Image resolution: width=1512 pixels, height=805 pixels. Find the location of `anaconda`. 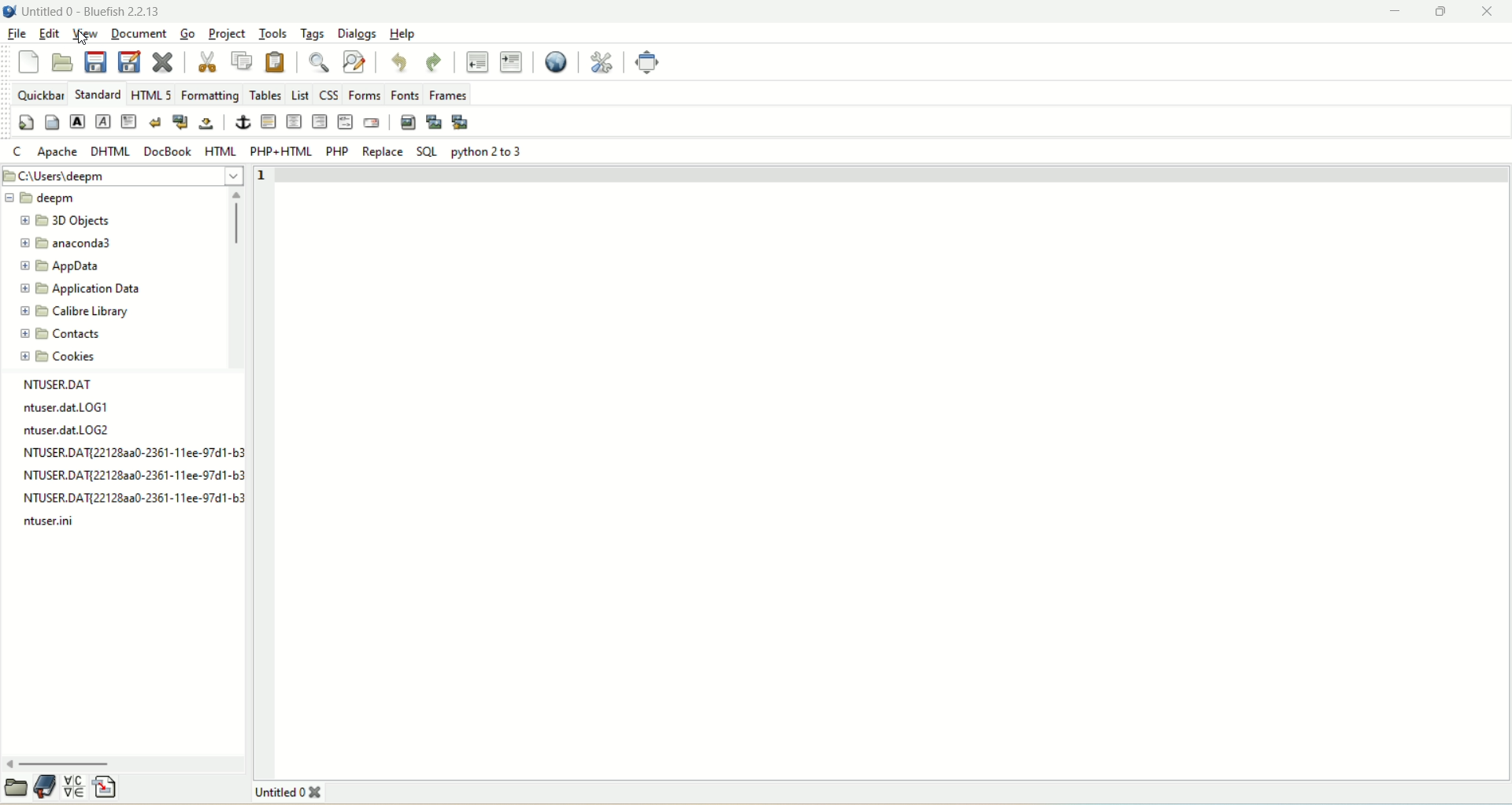

anaconda is located at coordinates (71, 243).